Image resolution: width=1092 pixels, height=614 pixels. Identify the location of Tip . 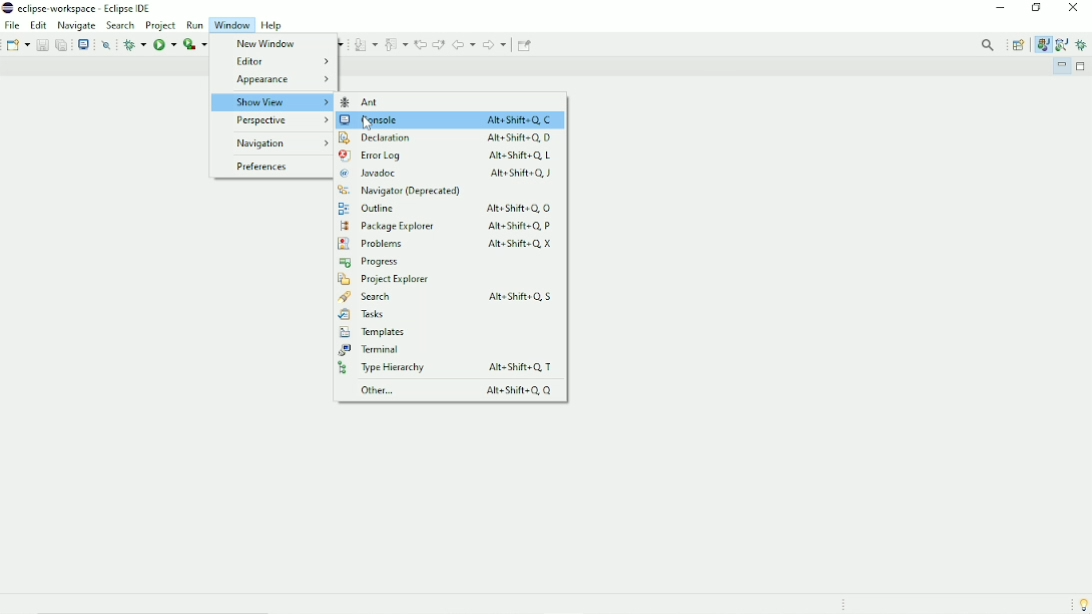
(1081, 604).